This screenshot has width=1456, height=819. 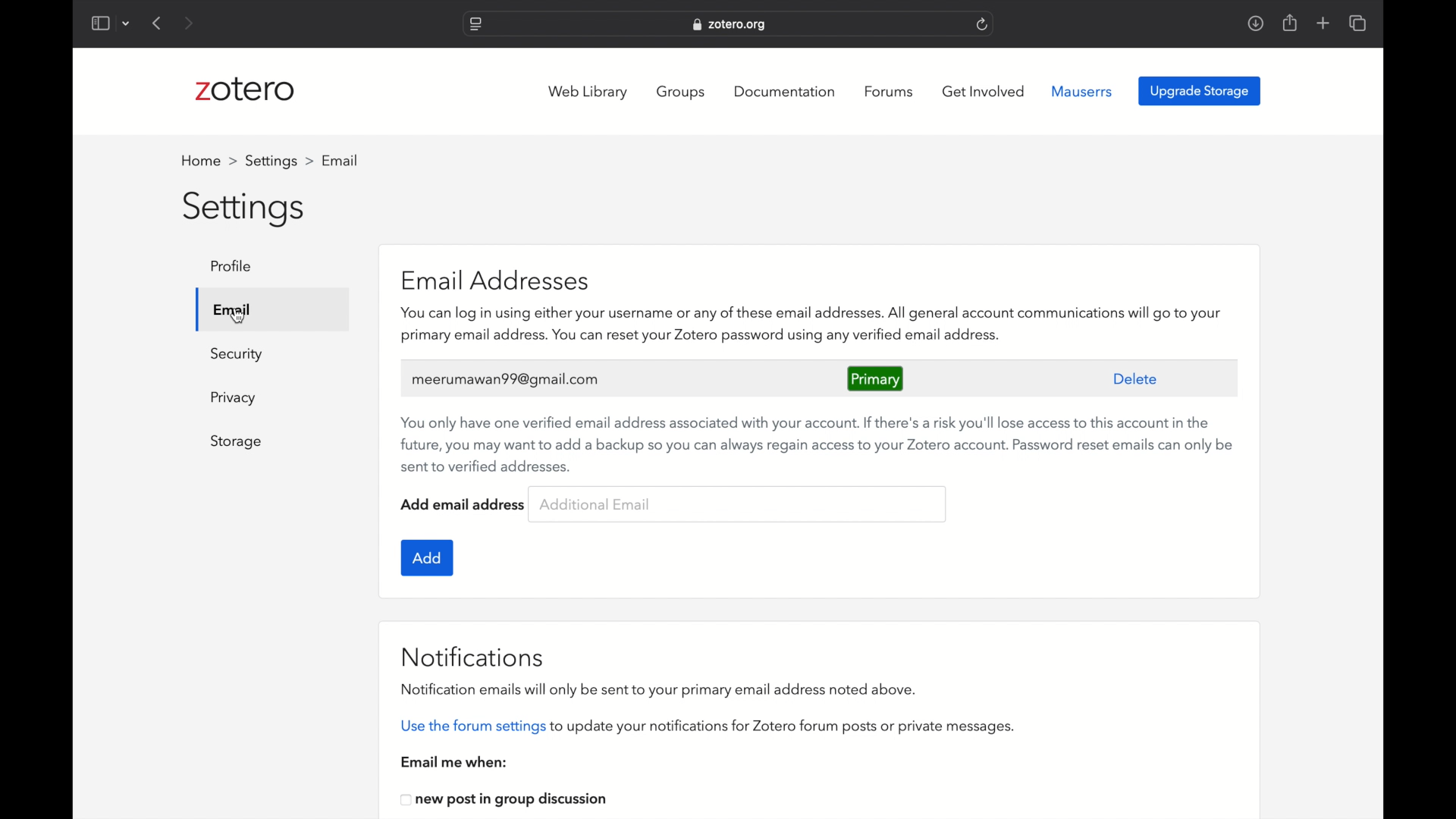 I want to click on storage, so click(x=237, y=442).